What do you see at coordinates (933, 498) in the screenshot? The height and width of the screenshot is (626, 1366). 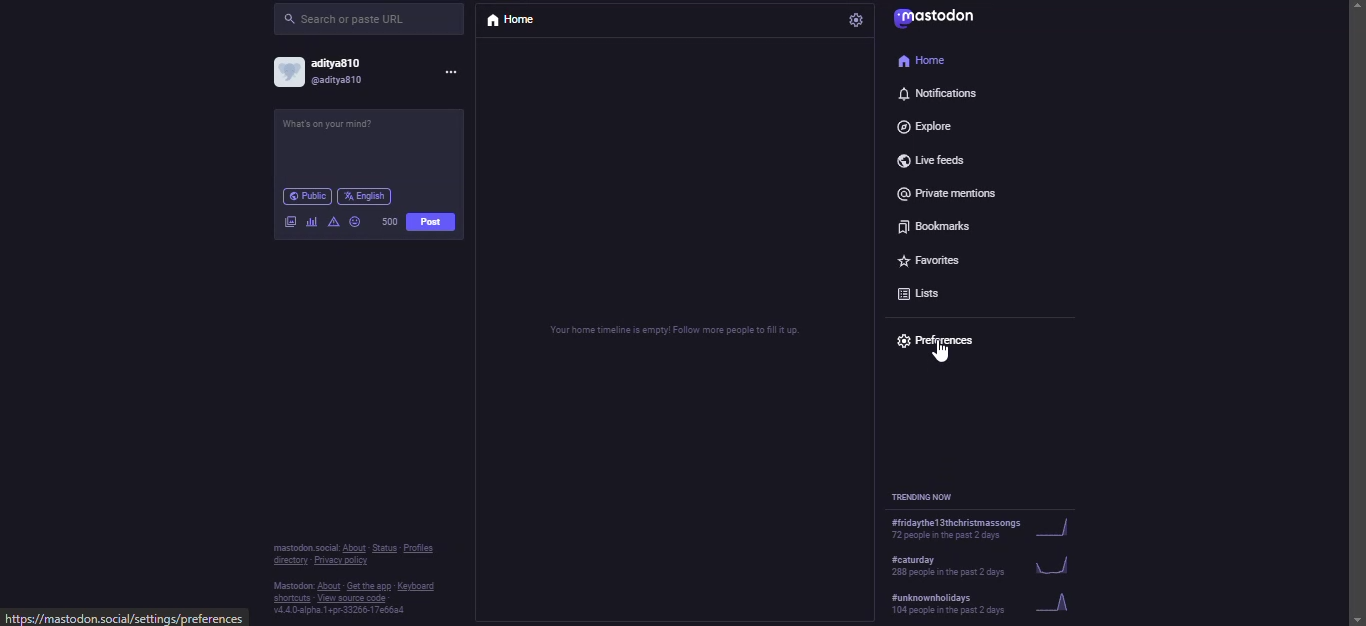 I see `trending` at bounding box center [933, 498].